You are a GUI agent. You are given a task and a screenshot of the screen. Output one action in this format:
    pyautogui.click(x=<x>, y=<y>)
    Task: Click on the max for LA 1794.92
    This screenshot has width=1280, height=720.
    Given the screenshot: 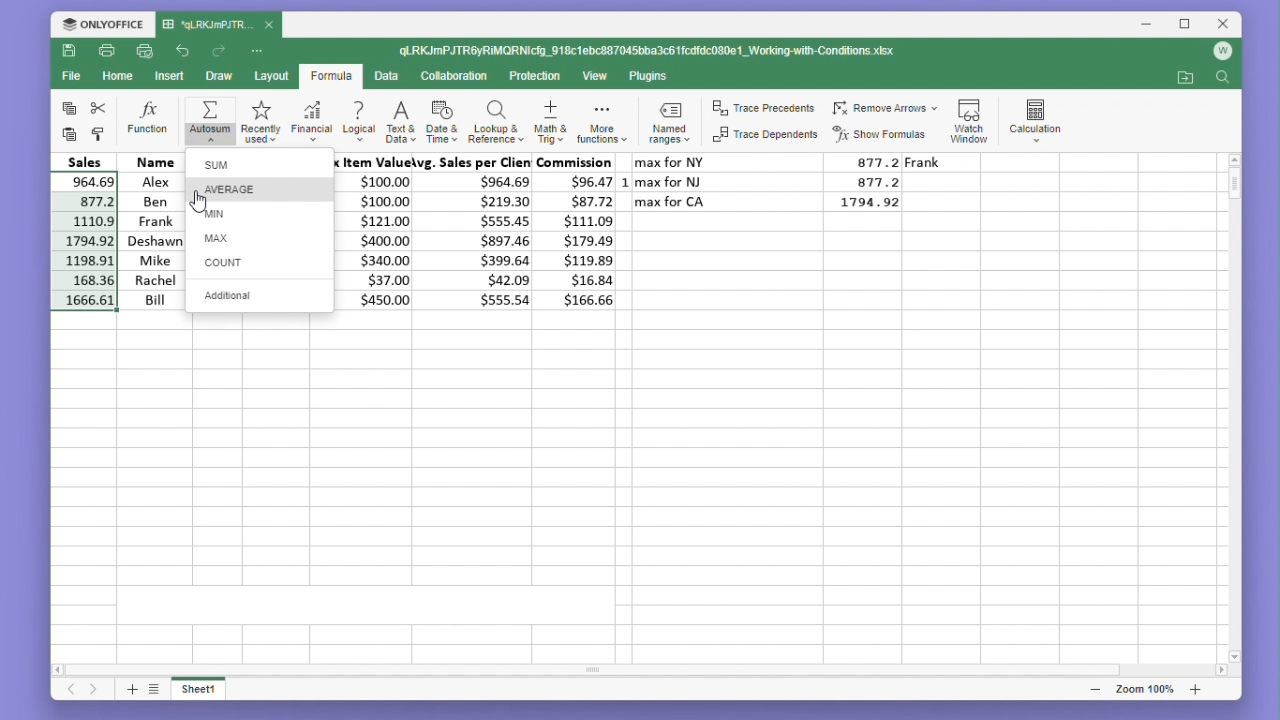 What is the action you would take?
    pyautogui.click(x=777, y=205)
    